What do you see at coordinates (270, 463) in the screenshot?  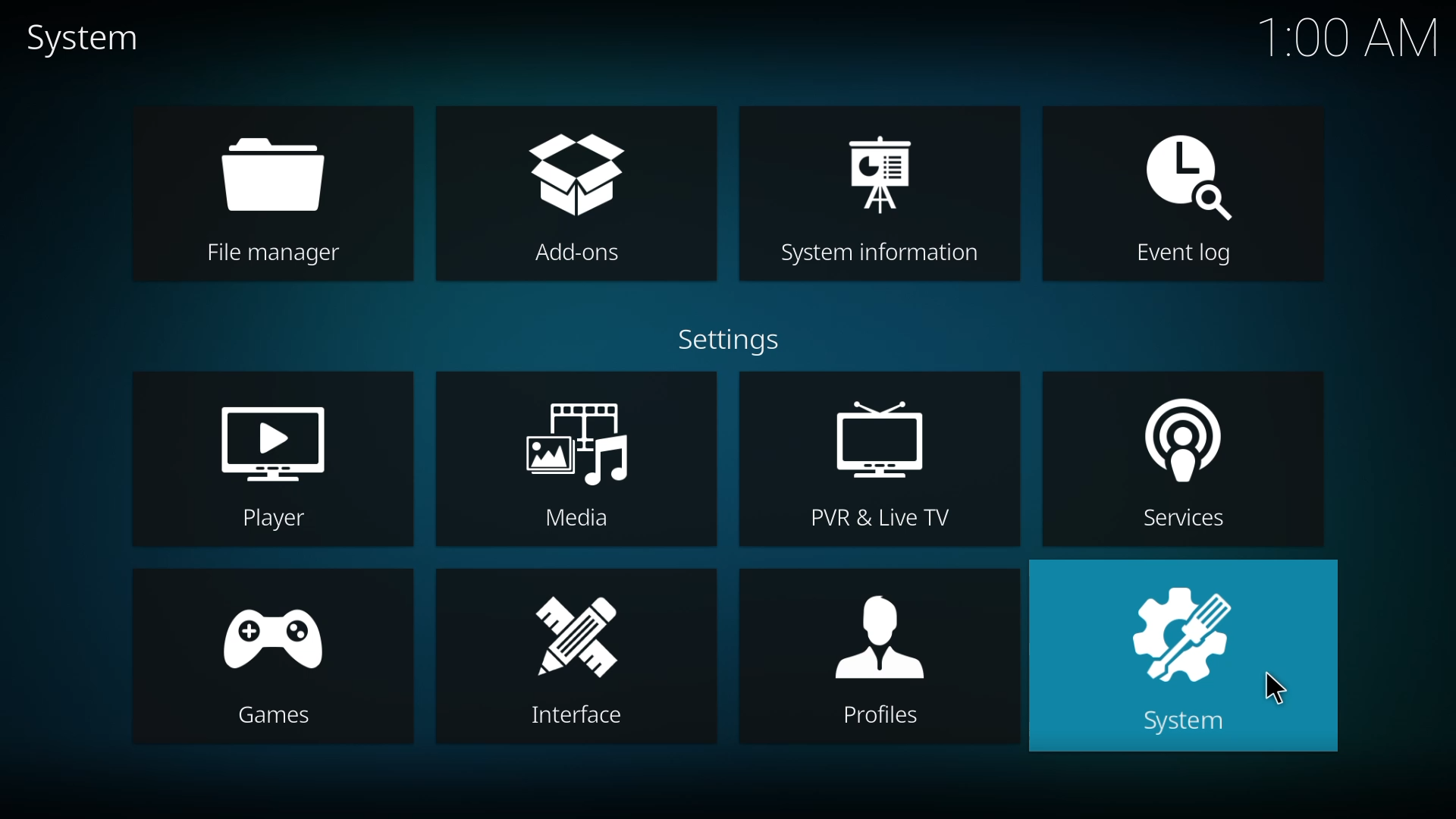 I see `player` at bounding box center [270, 463].